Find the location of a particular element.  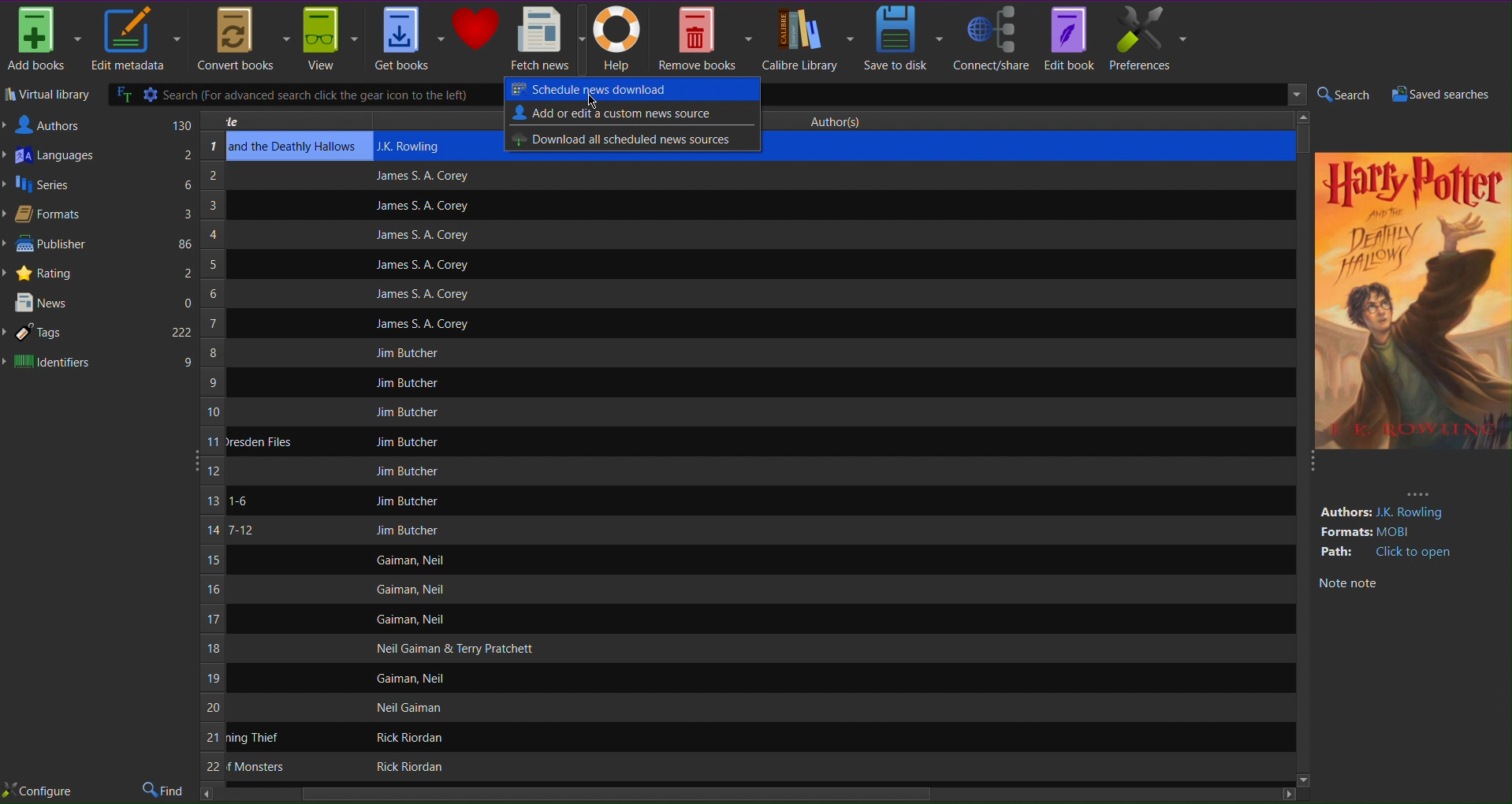

Find is located at coordinates (165, 791).